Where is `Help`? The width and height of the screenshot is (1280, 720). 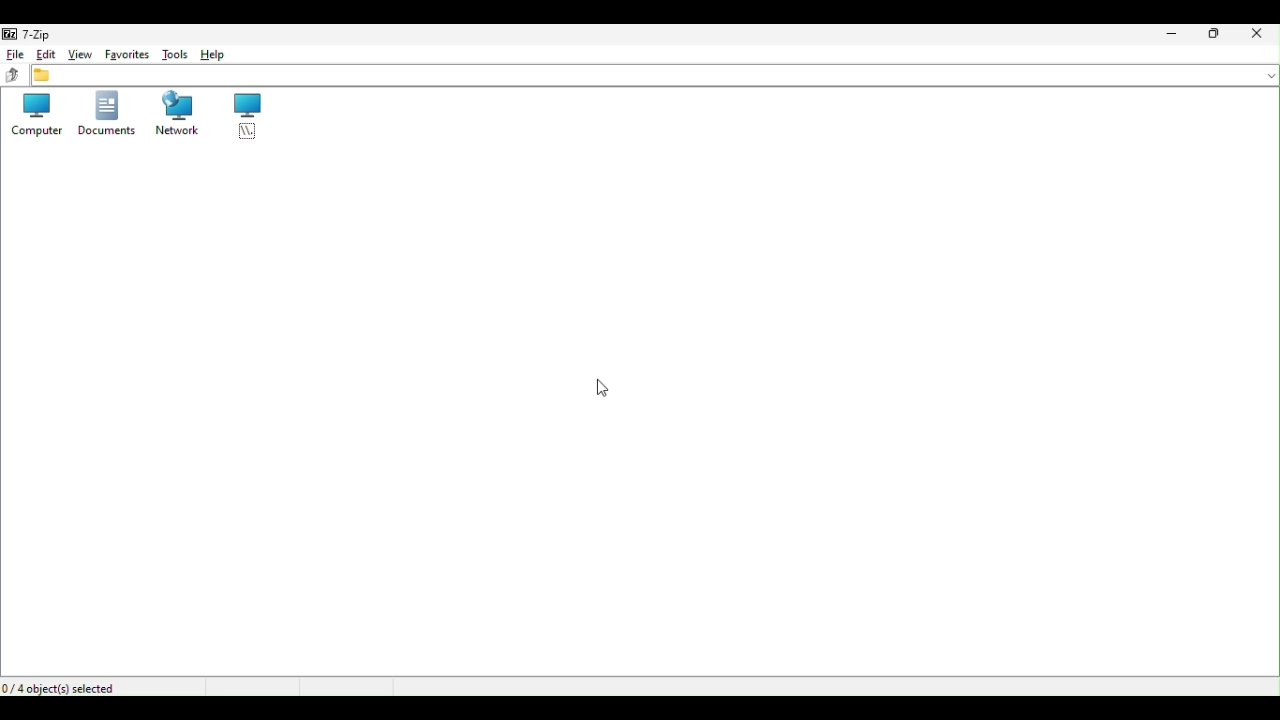
Help is located at coordinates (213, 54).